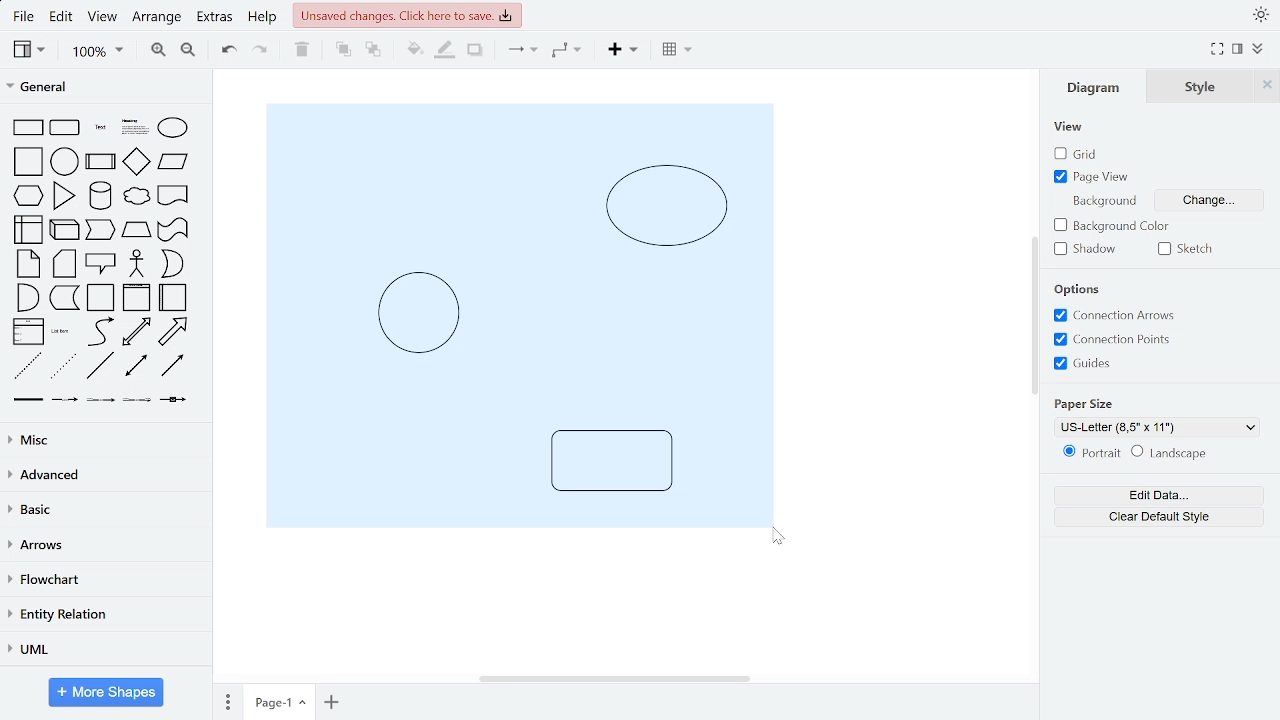  Describe the element at coordinates (1211, 198) in the screenshot. I see `change background` at that location.